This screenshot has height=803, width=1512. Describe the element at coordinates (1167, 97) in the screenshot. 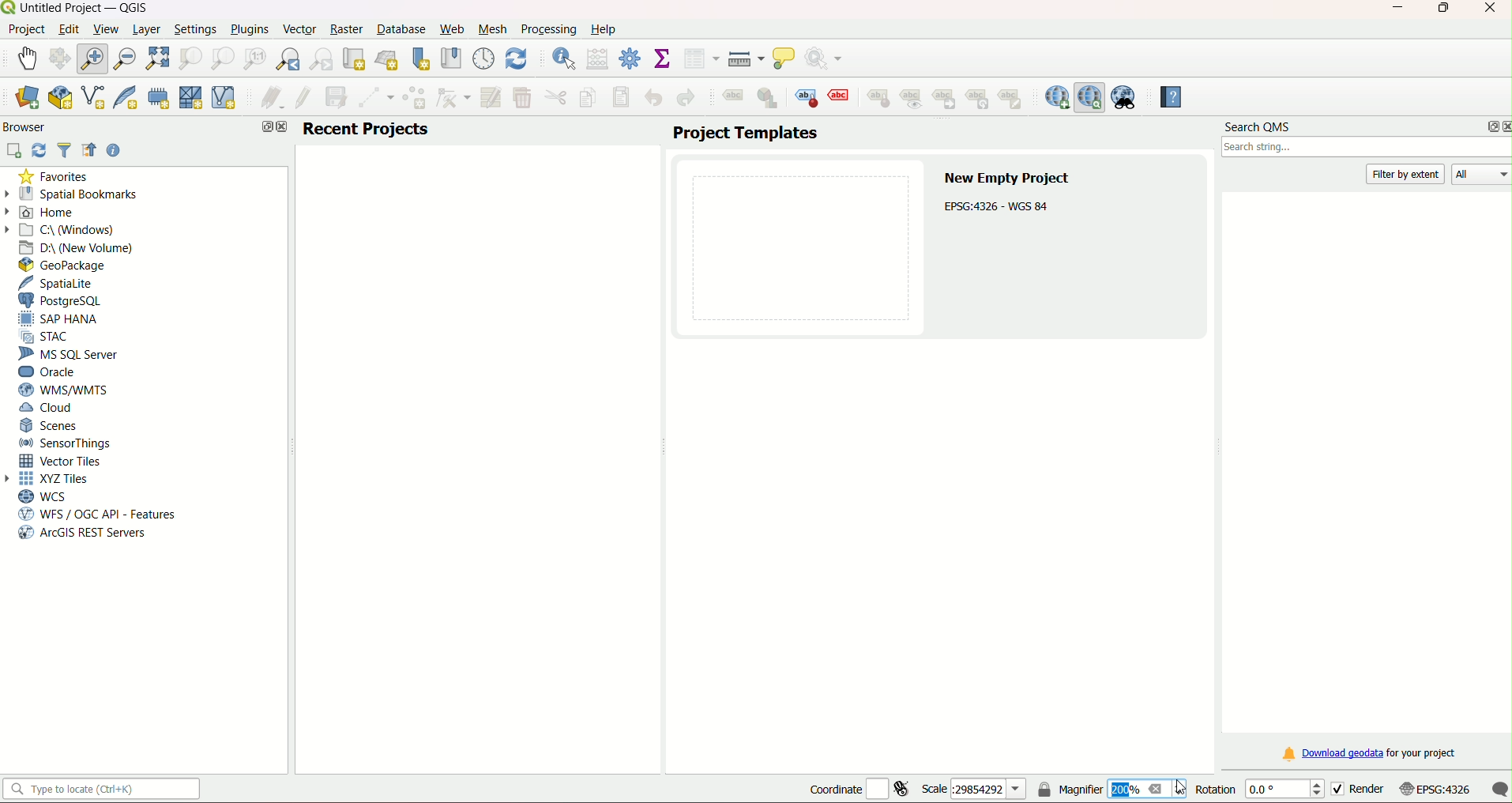

I see `help` at that location.